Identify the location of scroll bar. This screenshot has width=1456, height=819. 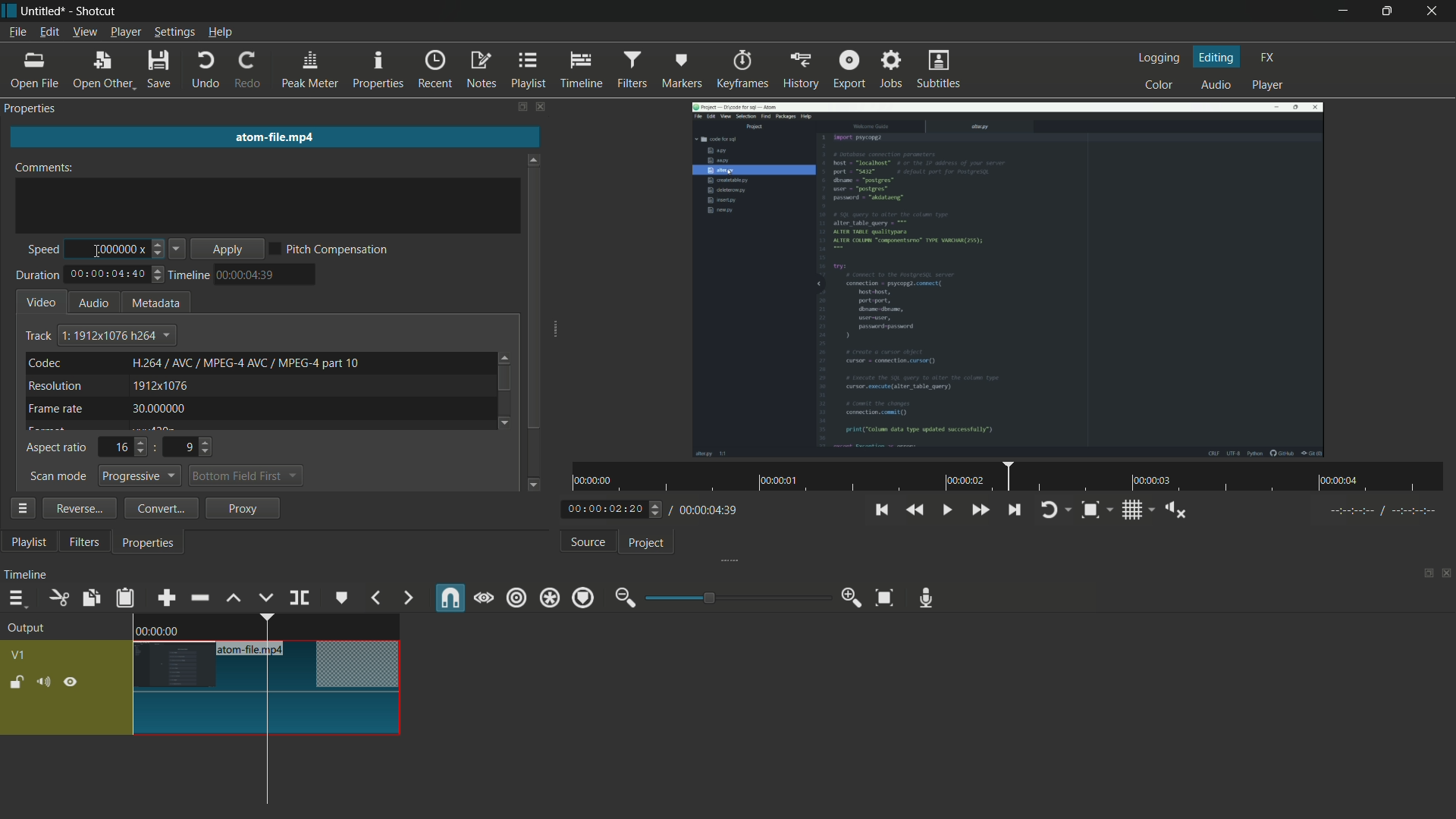
(535, 297).